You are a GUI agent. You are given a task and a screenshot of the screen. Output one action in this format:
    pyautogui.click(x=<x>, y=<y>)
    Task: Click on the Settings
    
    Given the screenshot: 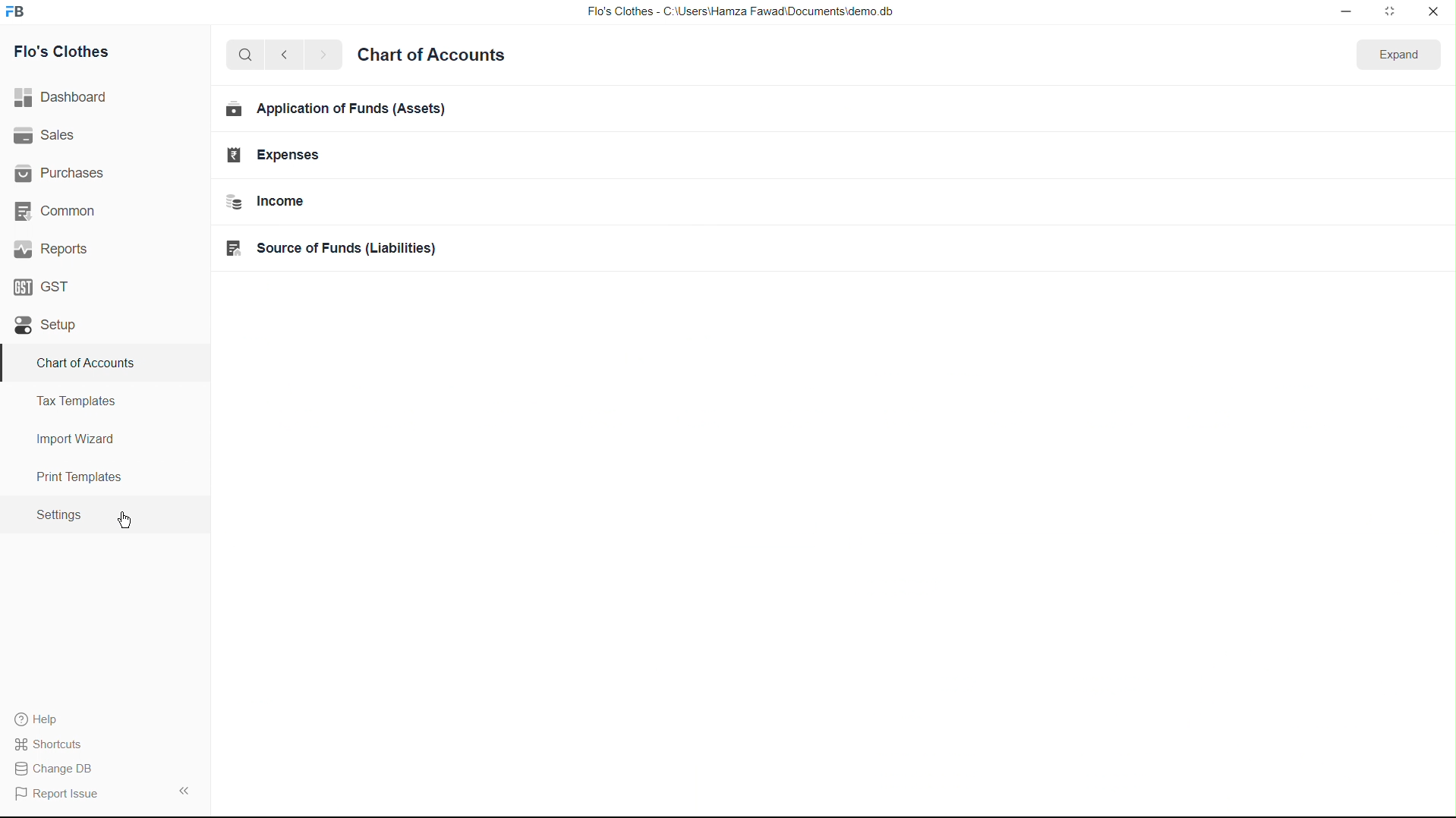 What is the action you would take?
    pyautogui.click(x=58, y=515)
    